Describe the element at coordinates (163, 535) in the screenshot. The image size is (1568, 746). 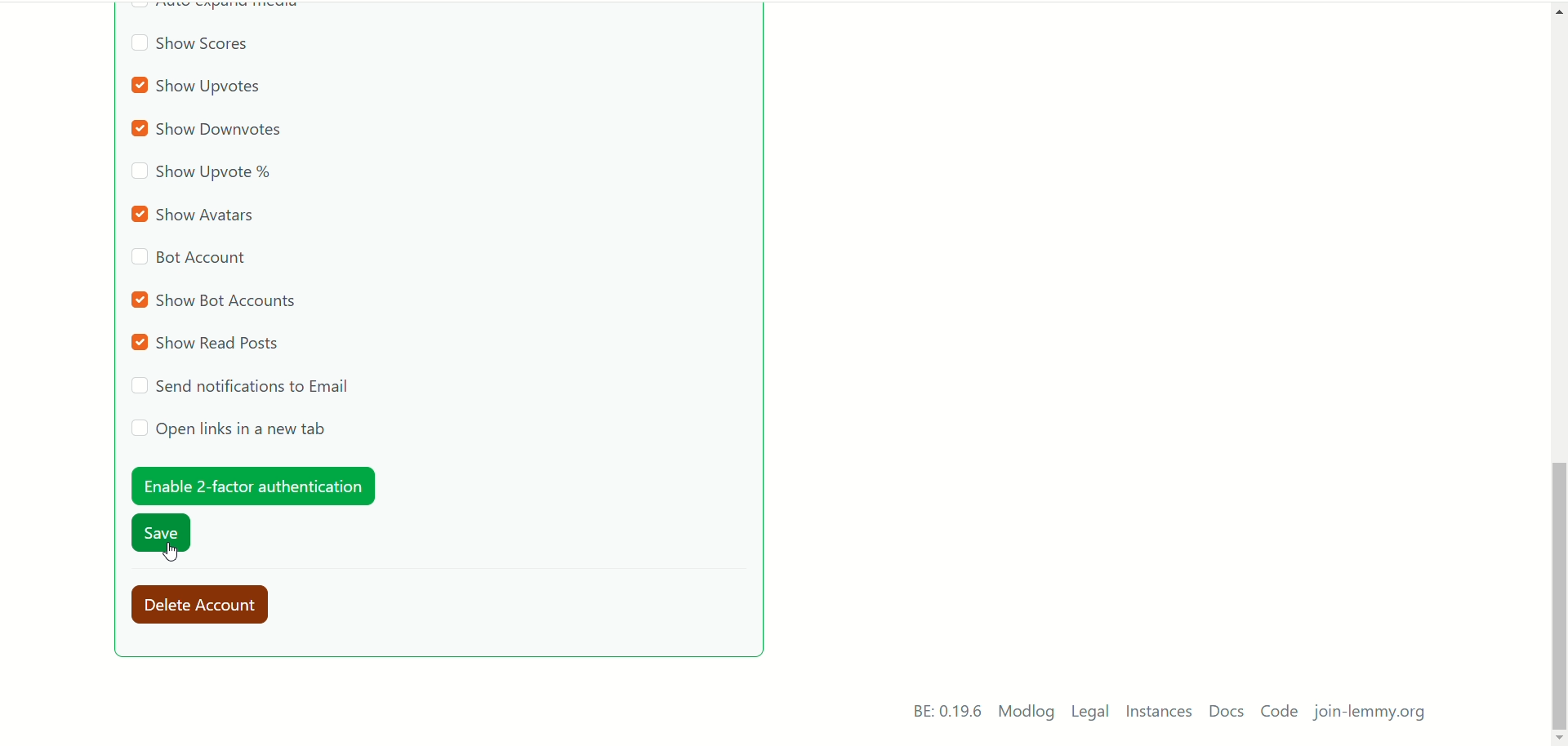
I see `save` at that location.